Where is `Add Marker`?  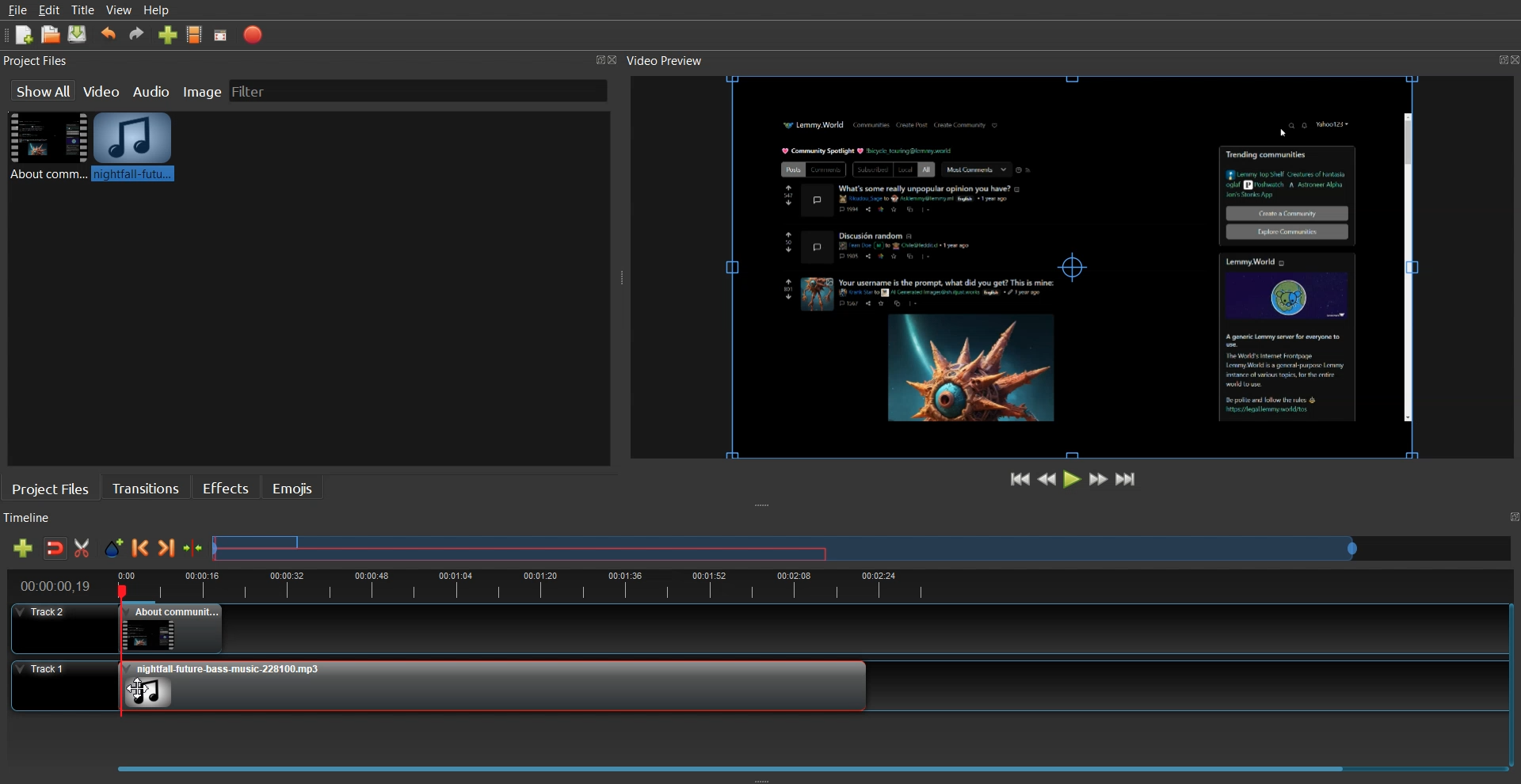
Add Marker is located at coordinates (113, 548).